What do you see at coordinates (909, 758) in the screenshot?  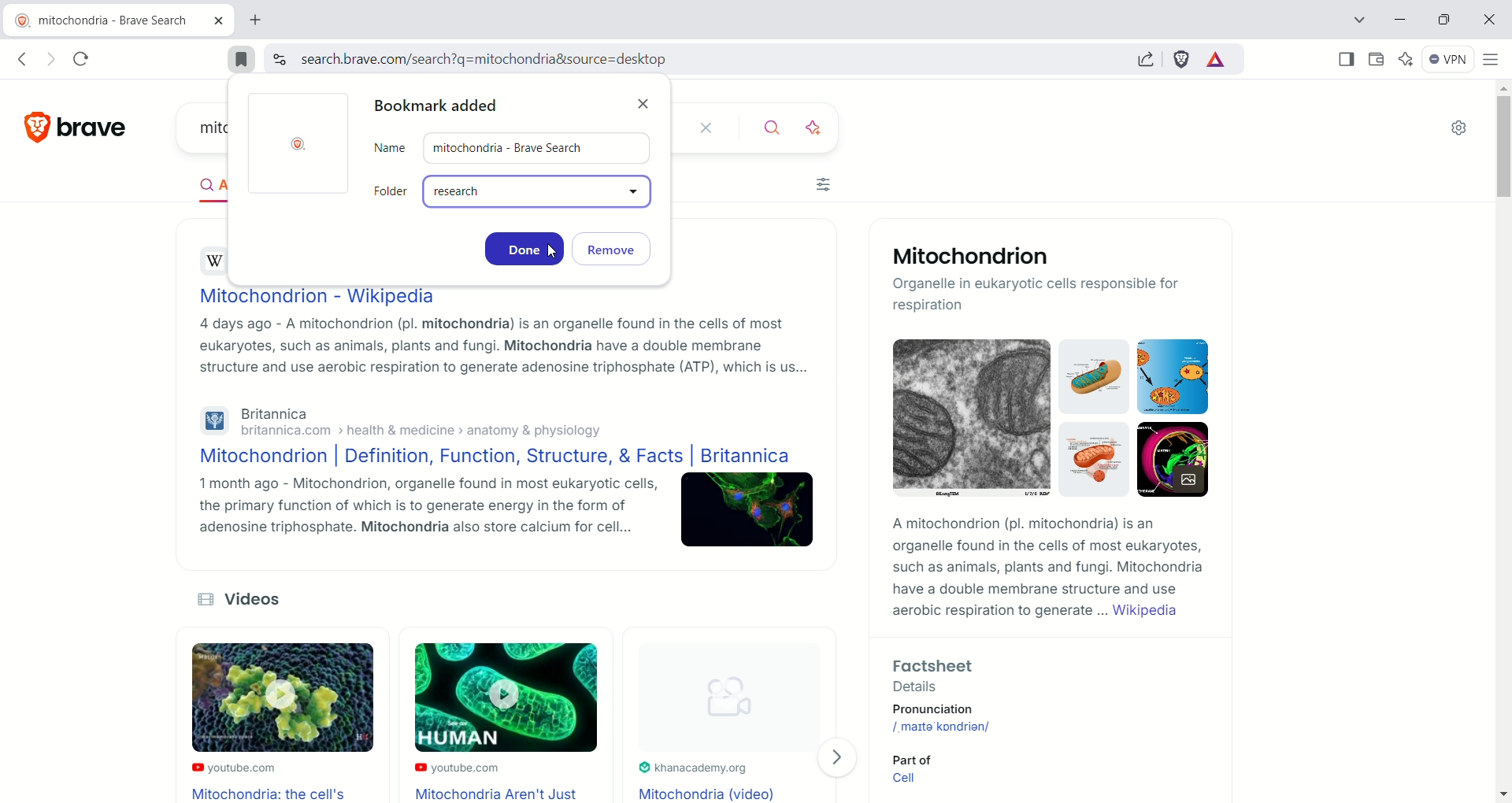 I see `Part of` at bounding box center [909, 758].